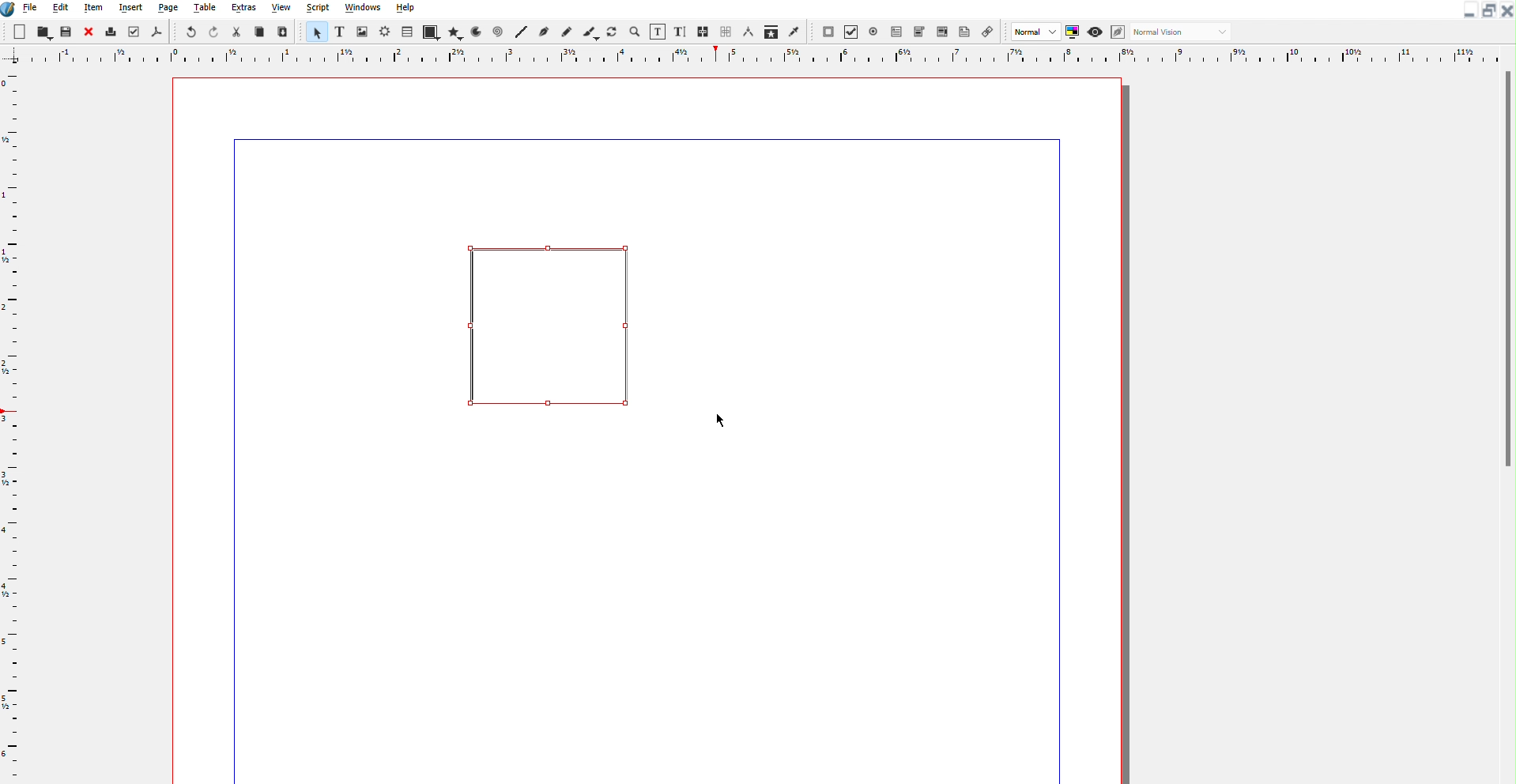 The width and height of the screenshot is (1516, 784). Describe the element at coordinates (681, 31) in the screenshot. I see `Text Size` at that location.